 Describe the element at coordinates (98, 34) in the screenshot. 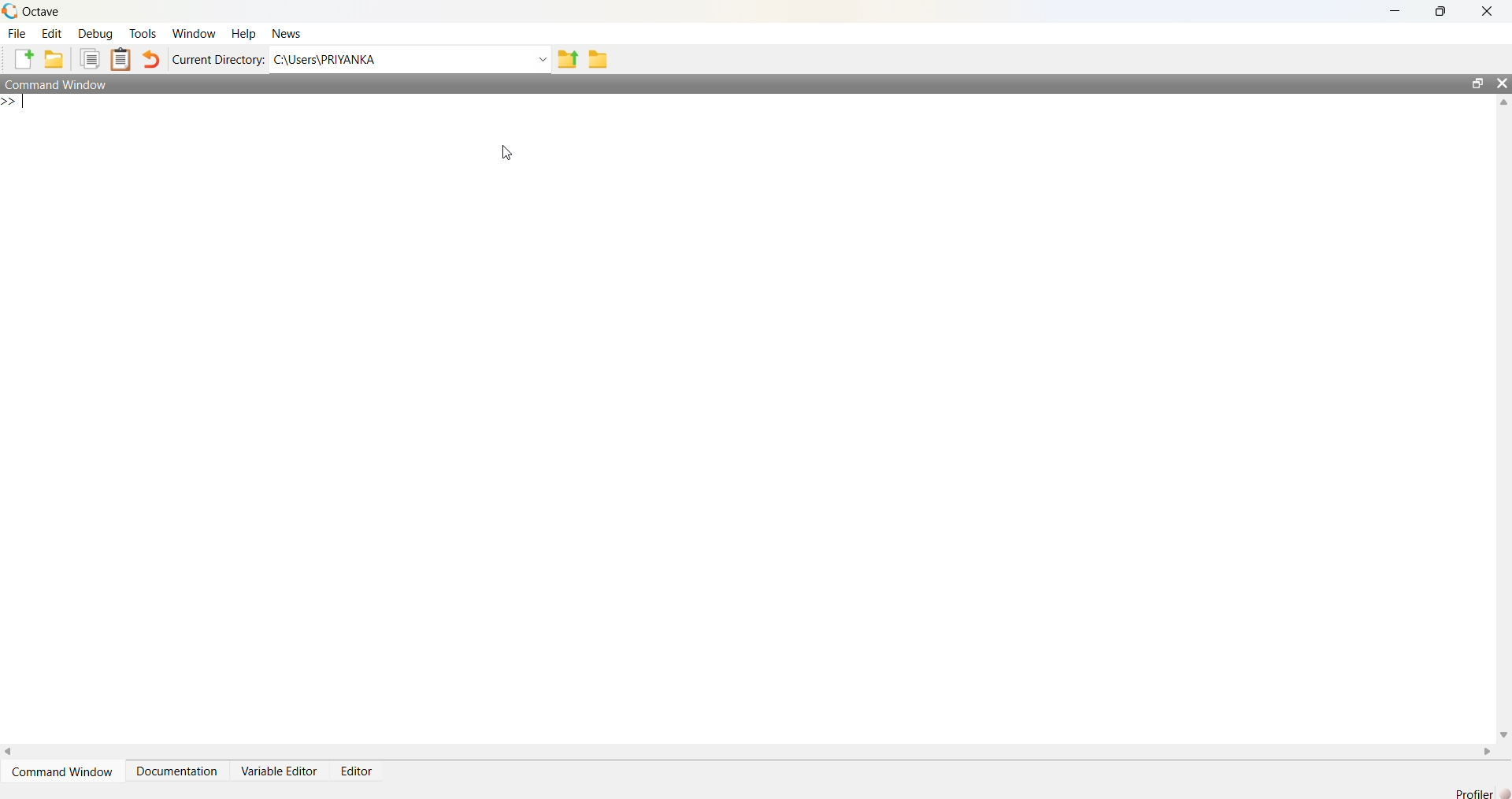

I see `Debug` at that location.